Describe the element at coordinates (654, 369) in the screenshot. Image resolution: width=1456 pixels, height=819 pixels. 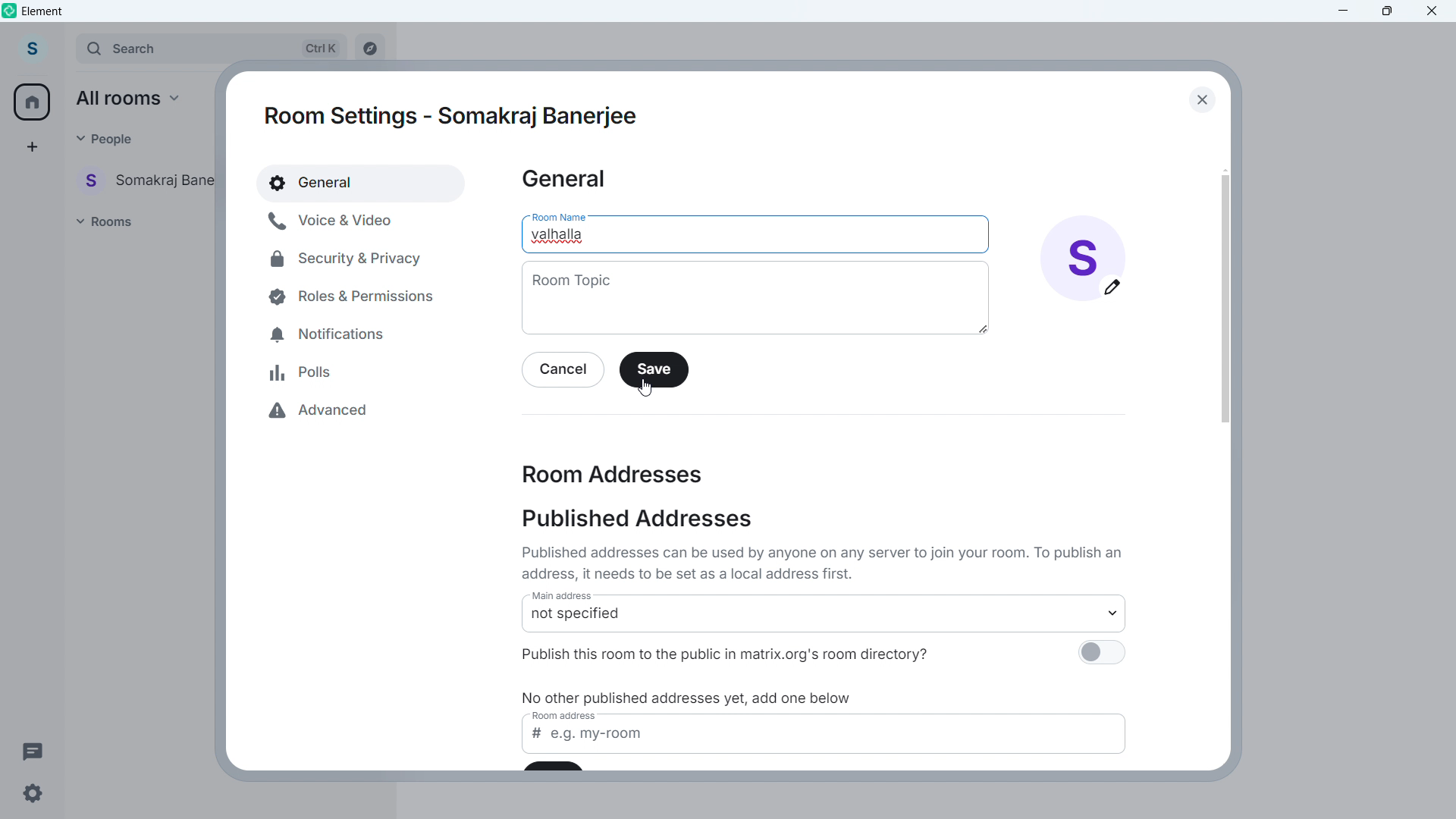
I see `save ` at that location.